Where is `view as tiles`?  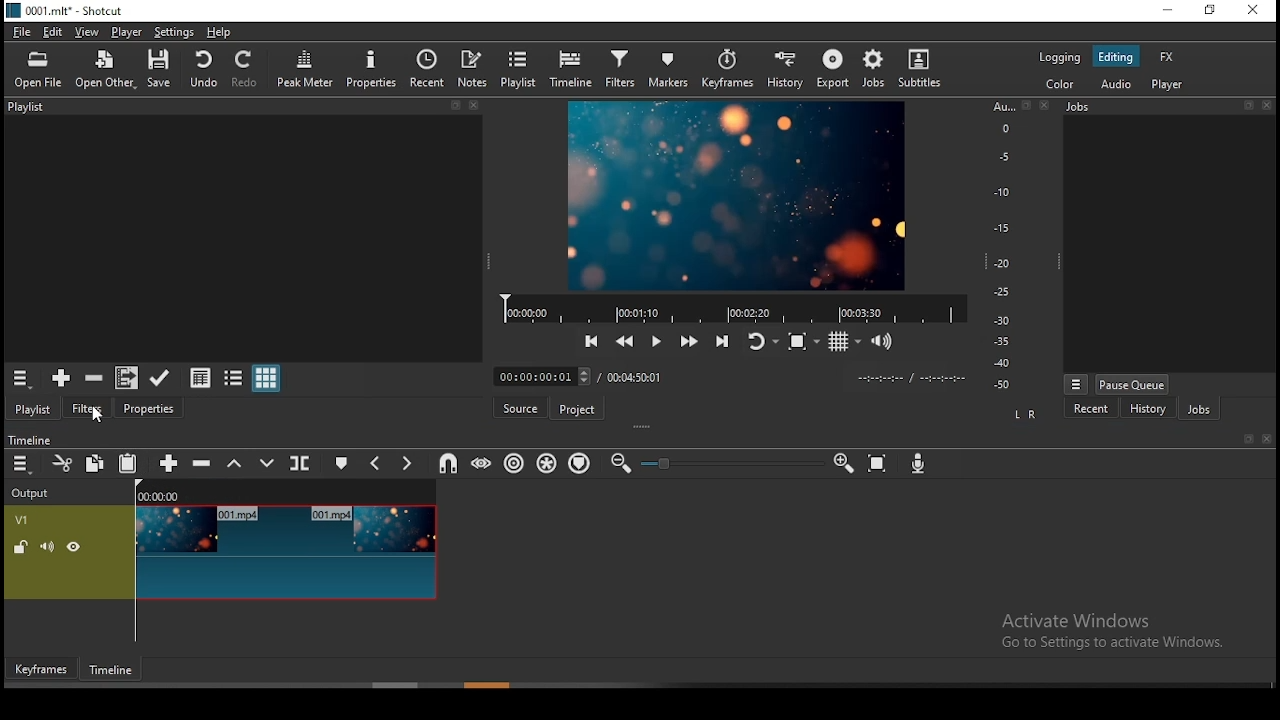 view as tiles is located at coordinates (232, 378).